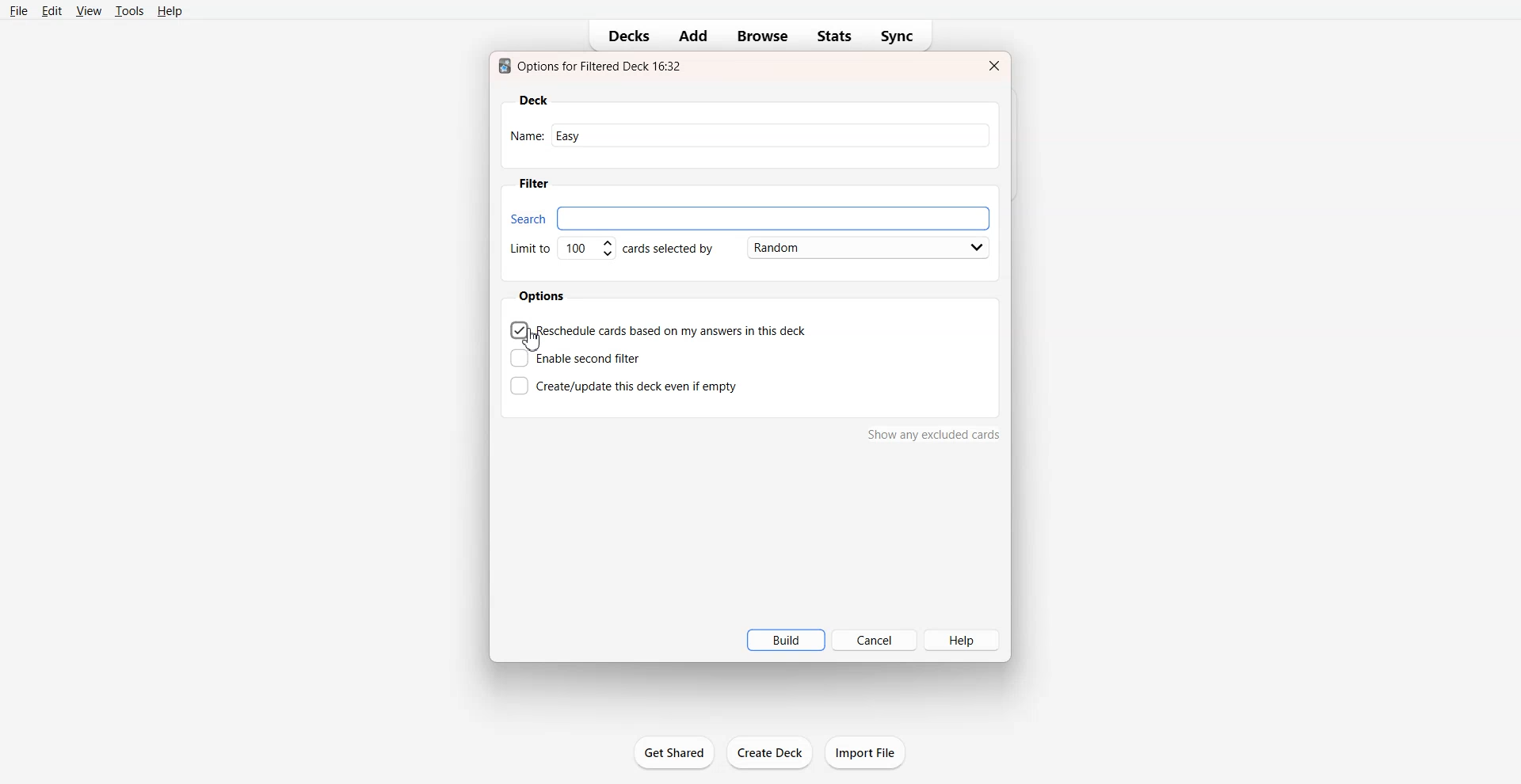 The image size is (1521, 784). Describe the element at coordinates (171, 11) in the screenshot. I see `Help` at that location.